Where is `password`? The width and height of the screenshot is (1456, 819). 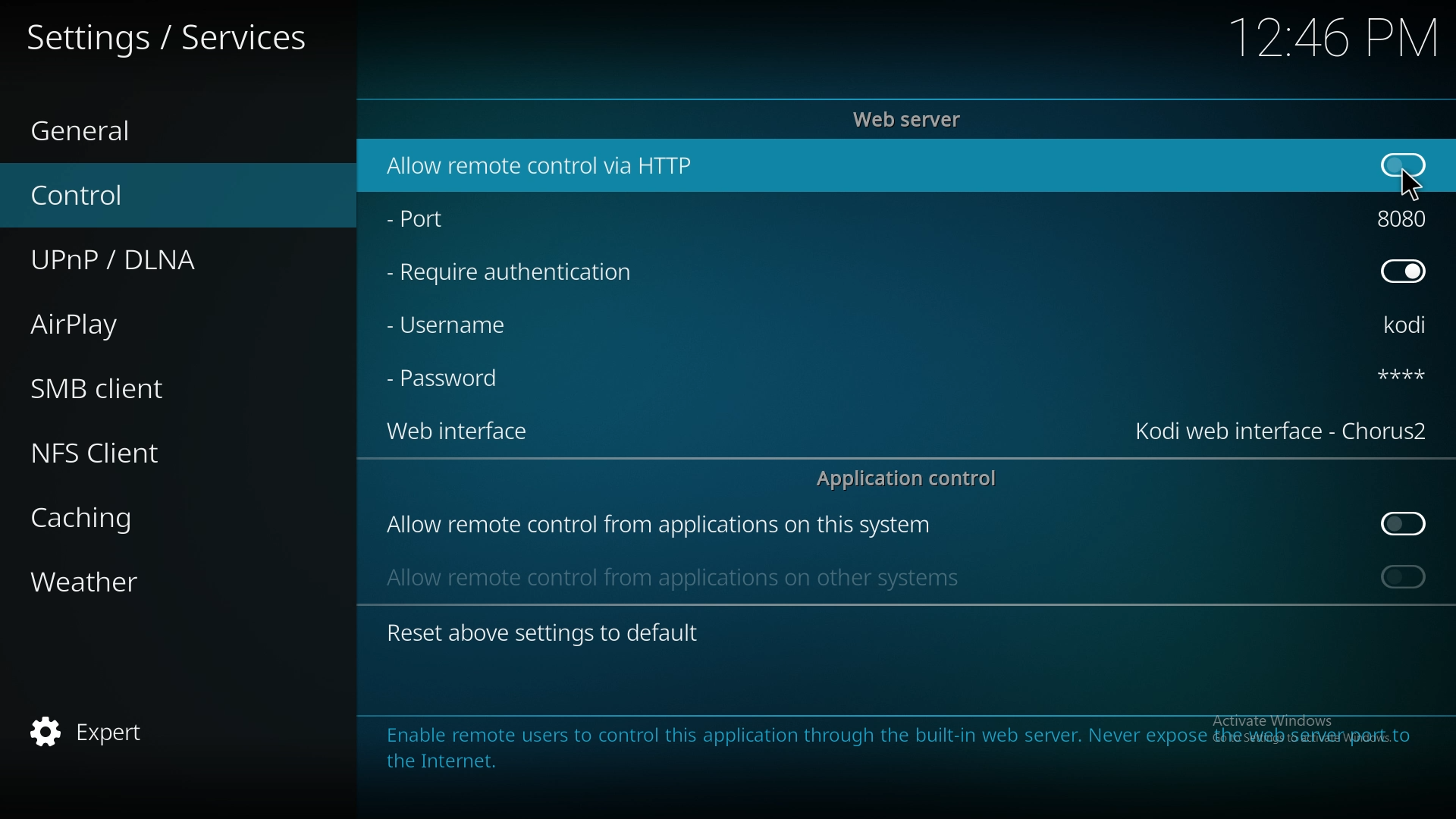
password is located at coordinates (1398, 375).